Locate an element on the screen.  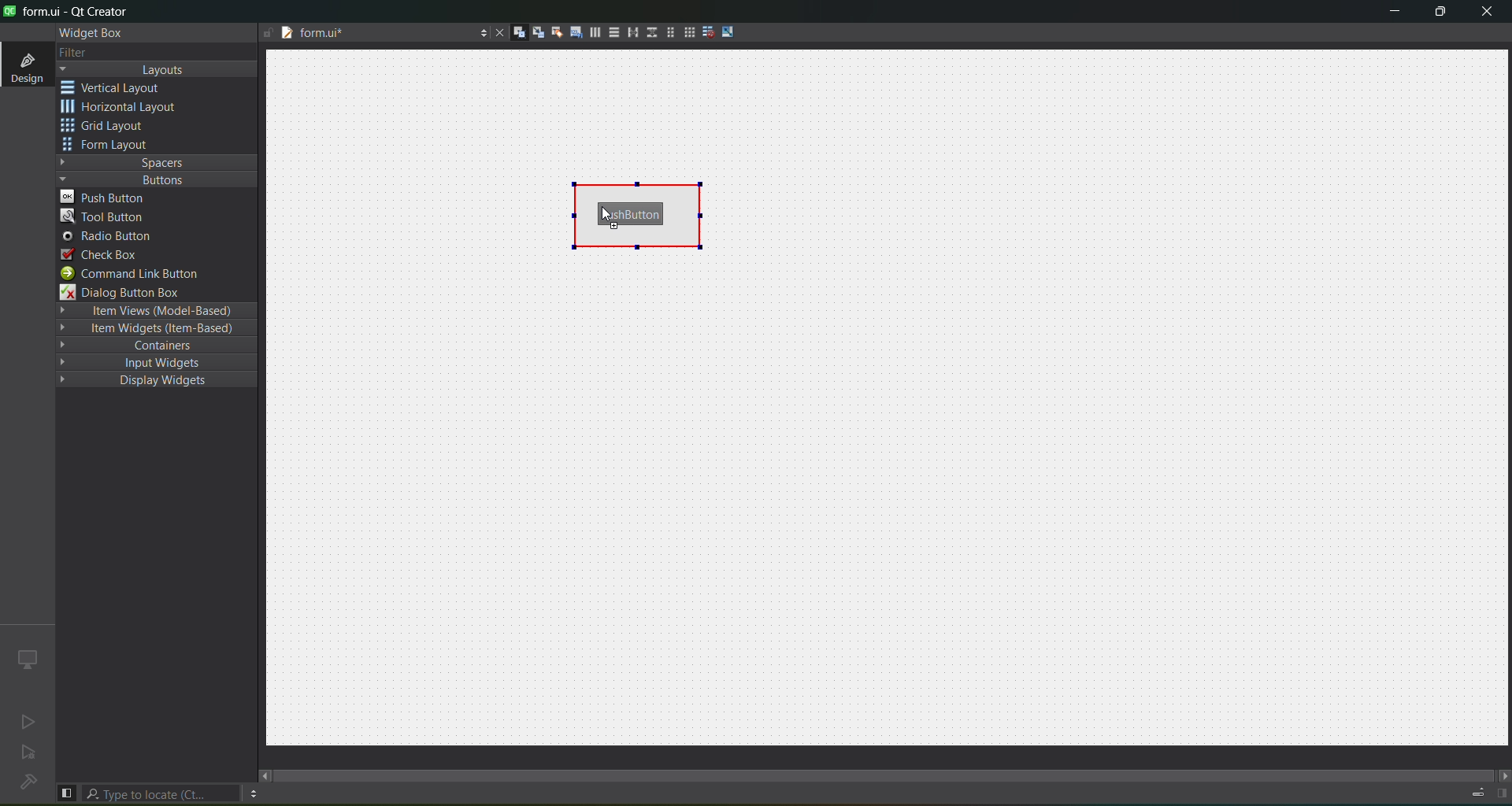
show/hide left pane is located at coordinates (66, 792).